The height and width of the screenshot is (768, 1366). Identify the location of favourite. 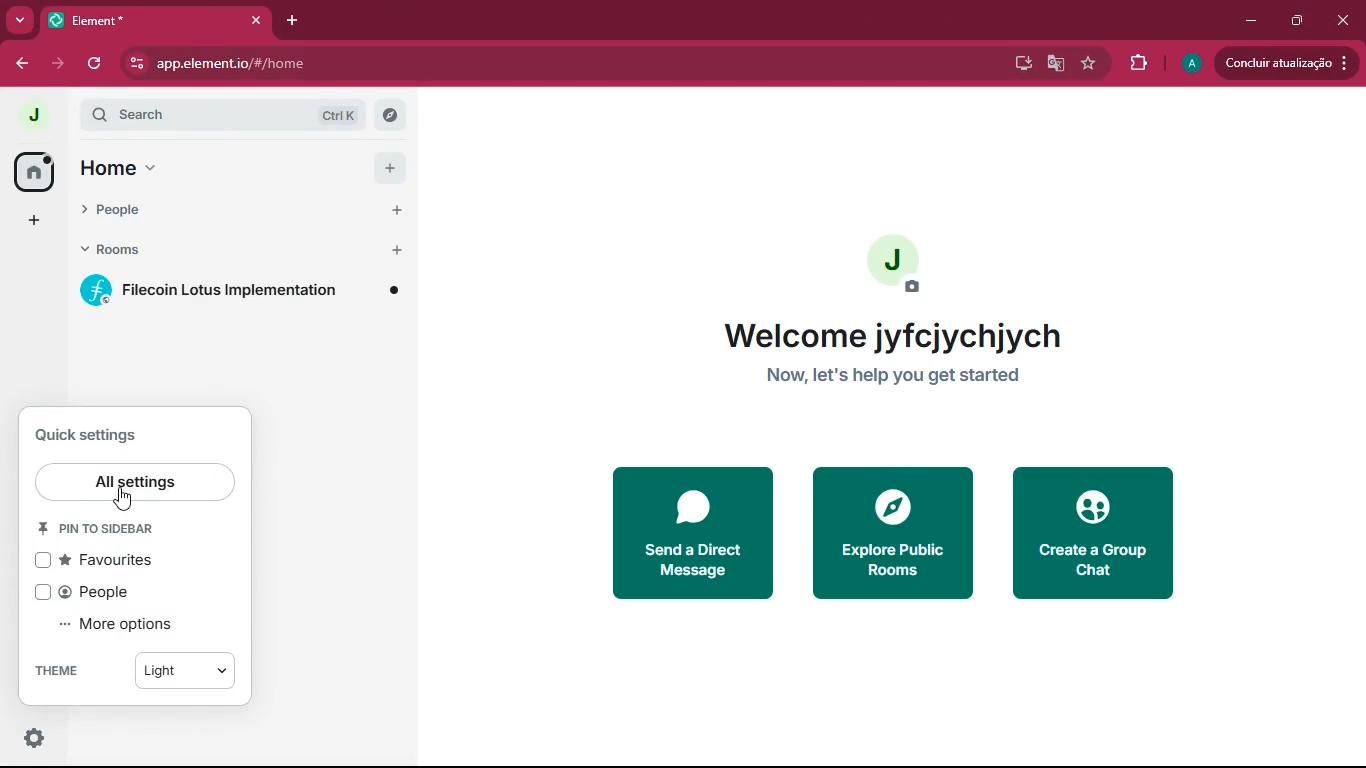
(1089, 63).